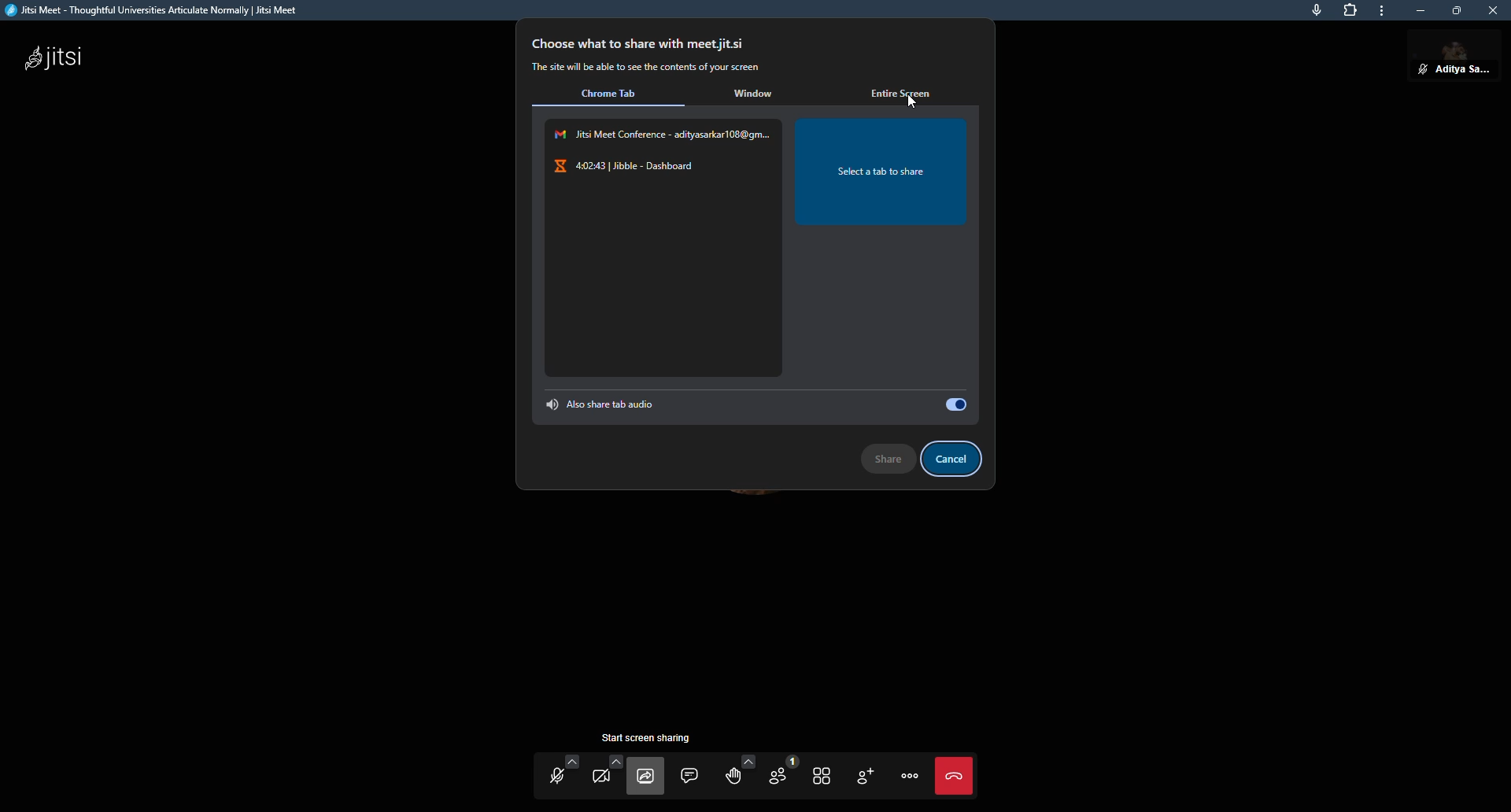  What do you see at coordinates (734, 776) in the screenshot?
I see `raise hand` at bounding box center [734, 776].